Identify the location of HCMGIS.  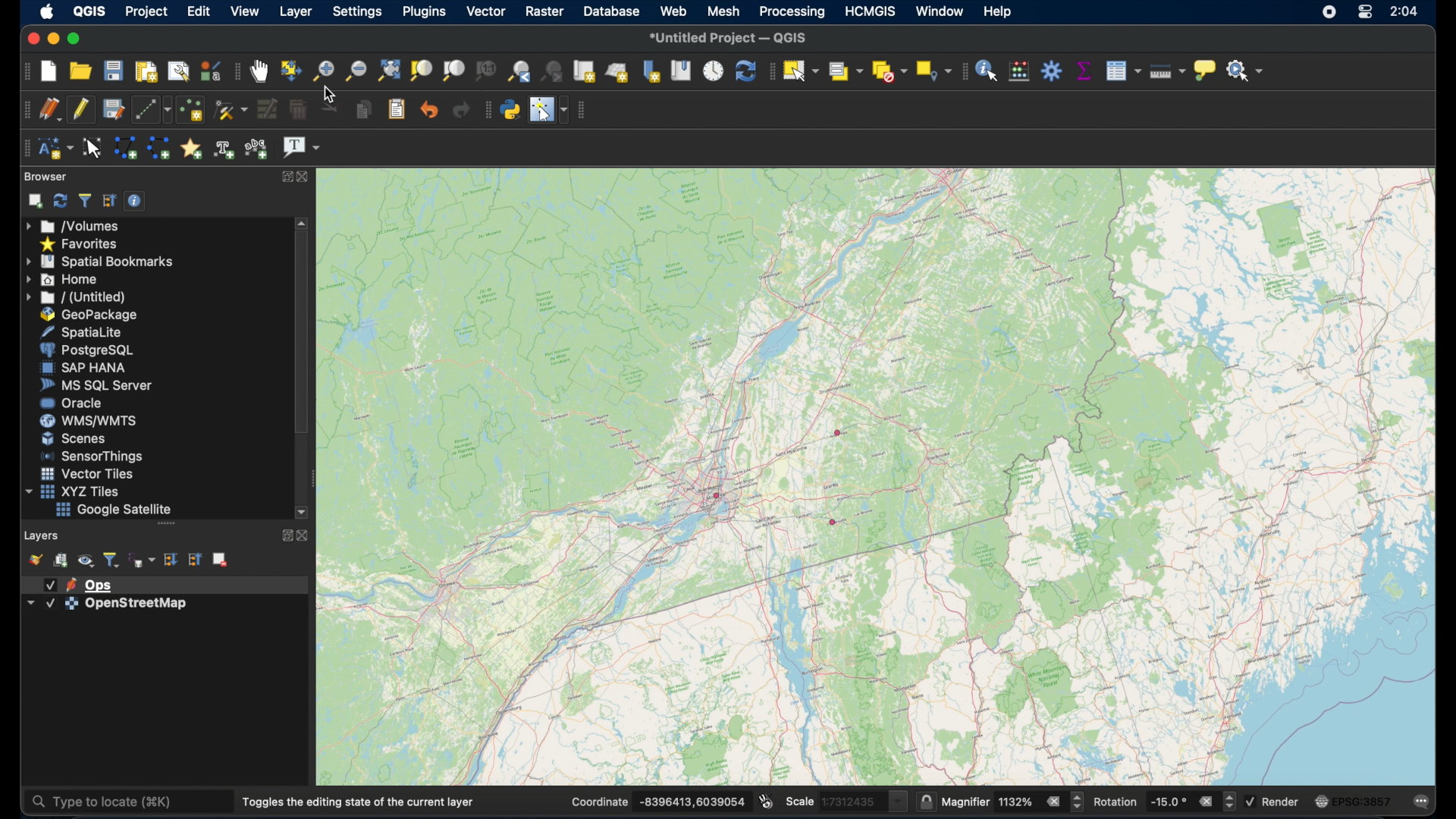
(868, 12).